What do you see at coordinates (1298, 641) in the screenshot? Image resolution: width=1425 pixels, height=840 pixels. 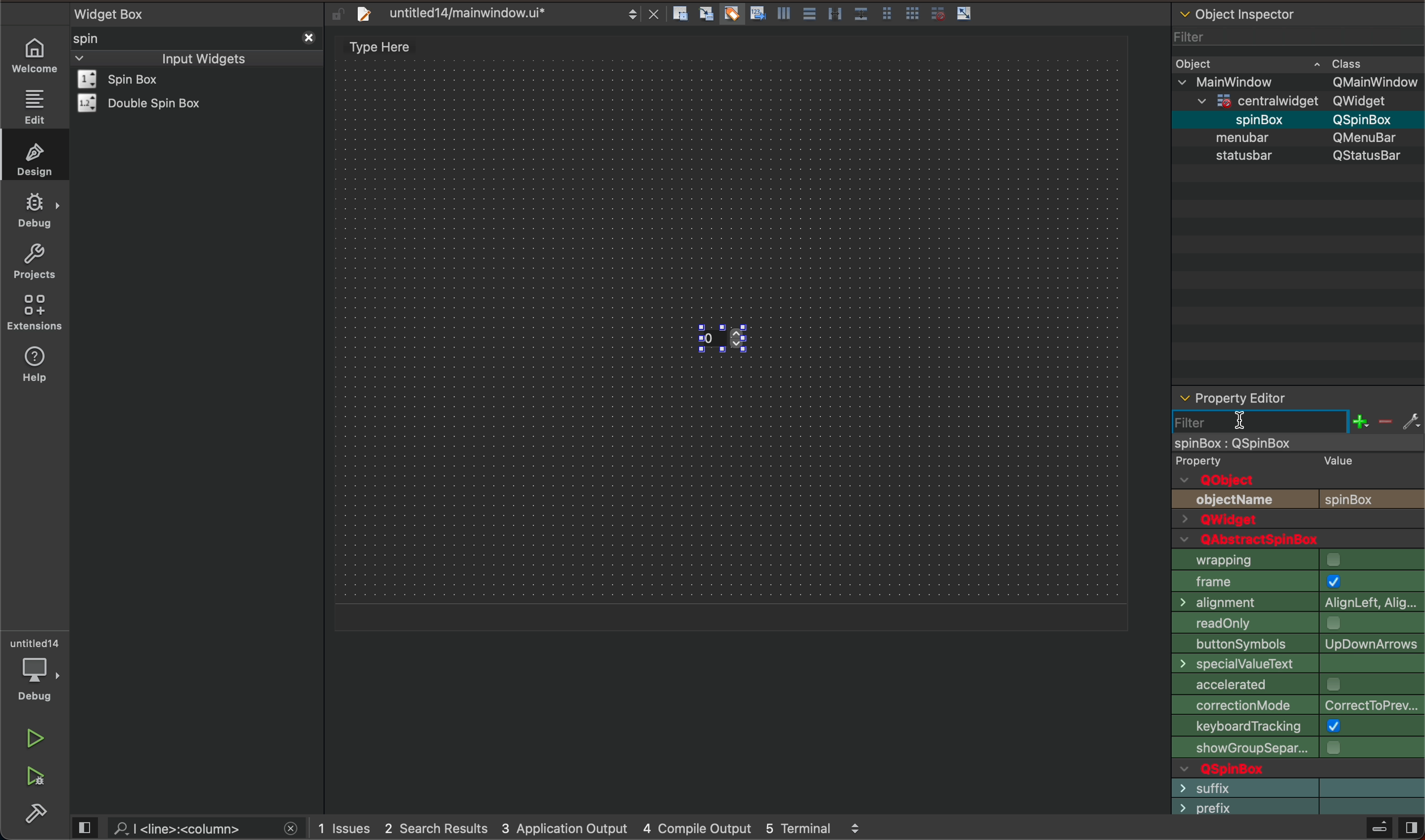 I see `tab shape` at bounding box center [1298, 641].